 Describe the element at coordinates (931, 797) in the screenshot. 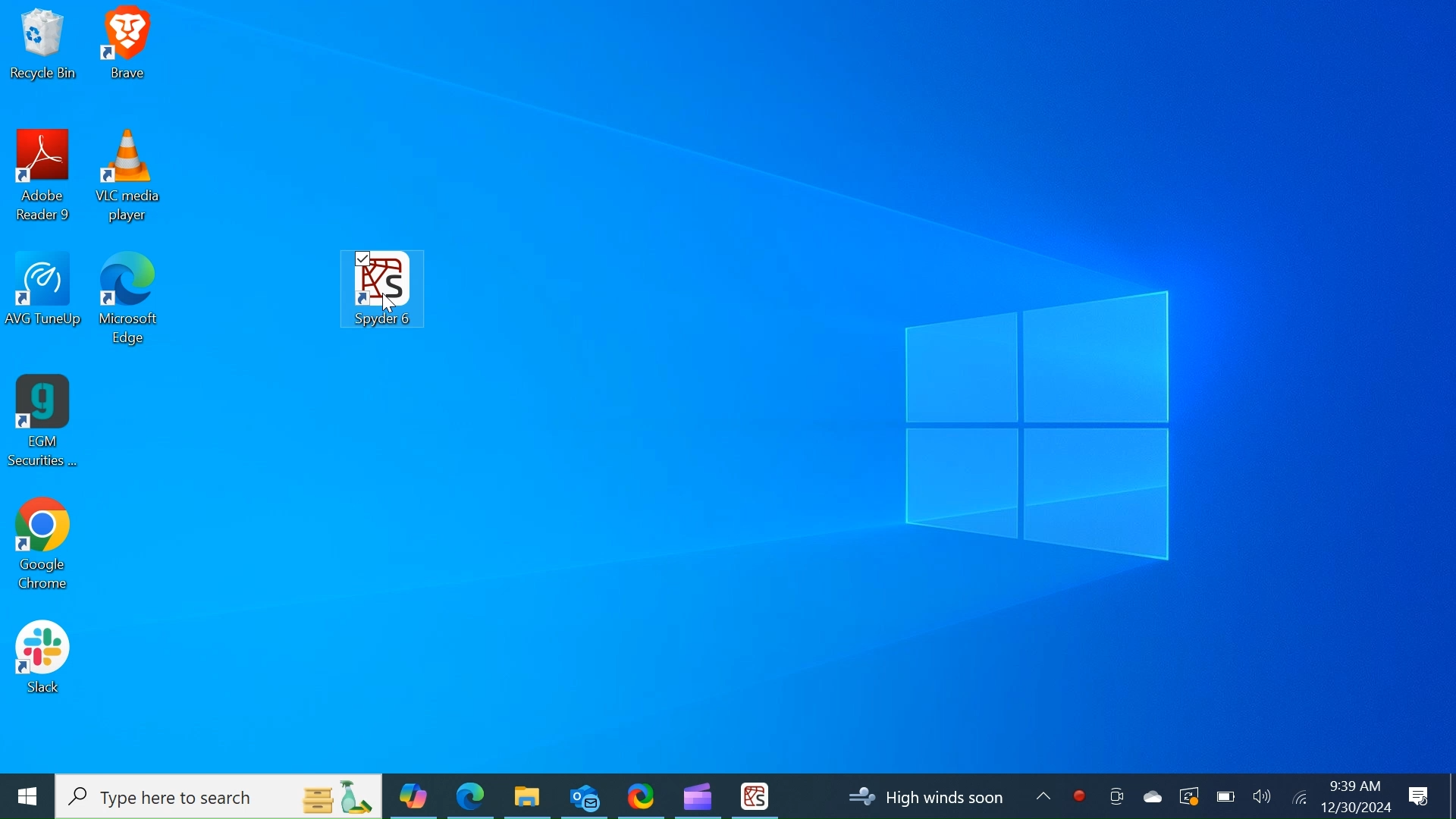

I see `High winds soon` at that location.